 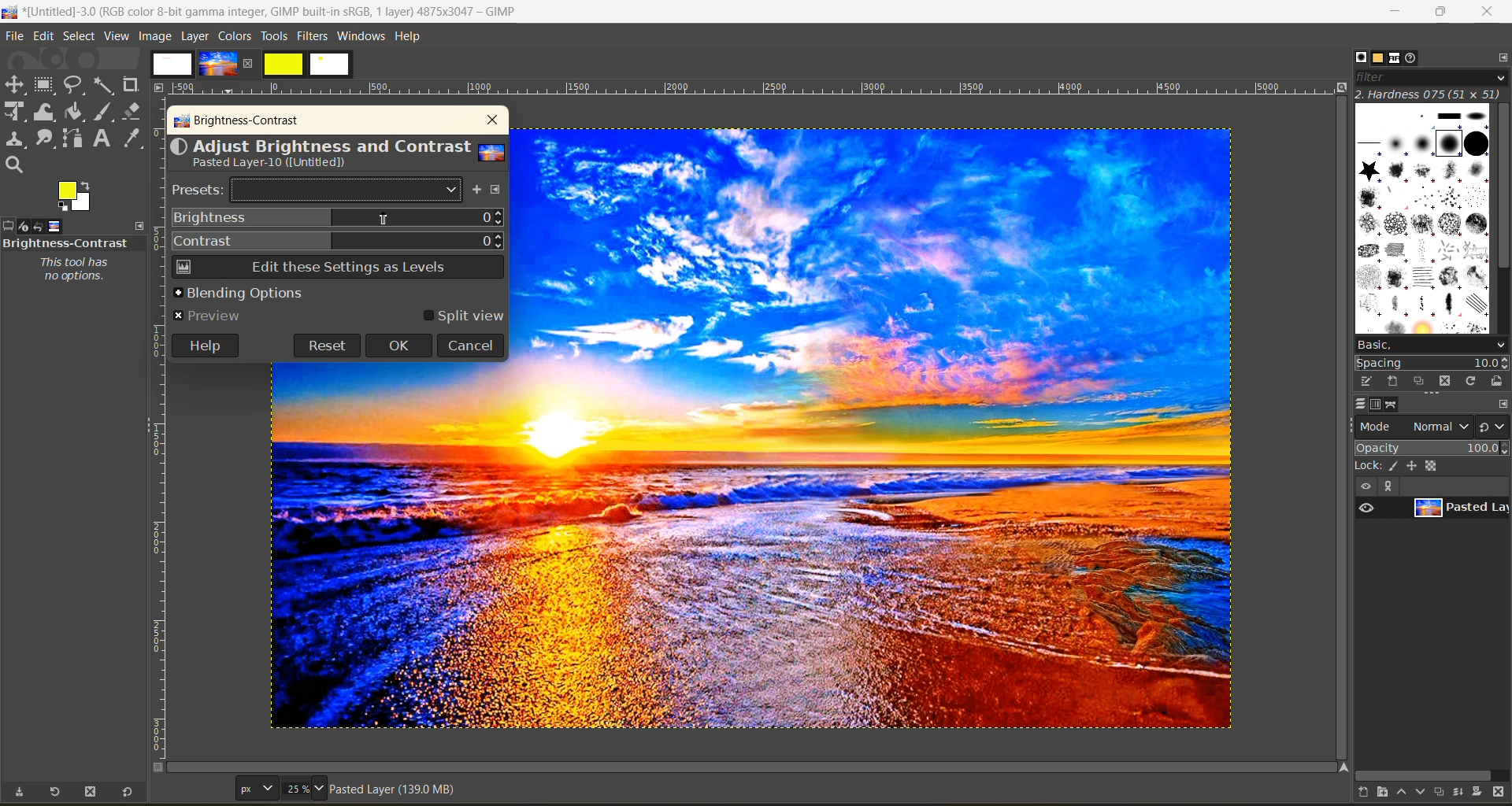 I want to click on delete this layer, so click(x=1503, y=793).